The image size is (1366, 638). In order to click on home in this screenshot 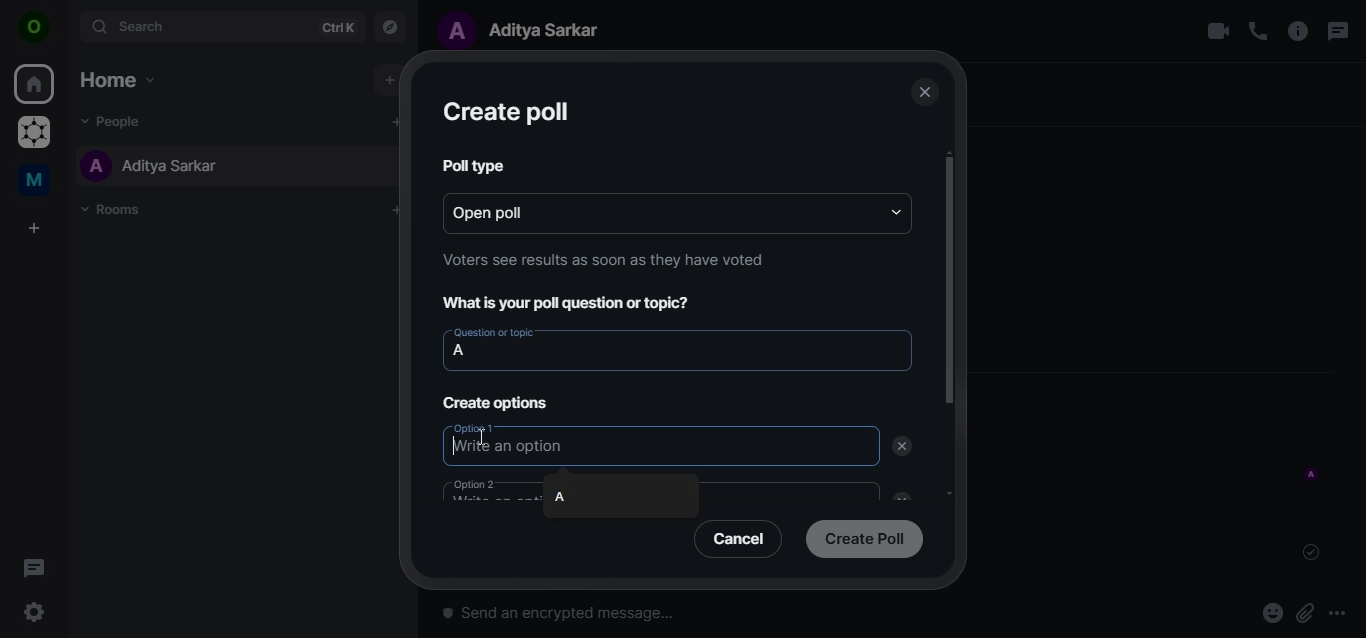, I will do `click(116, 79)`.